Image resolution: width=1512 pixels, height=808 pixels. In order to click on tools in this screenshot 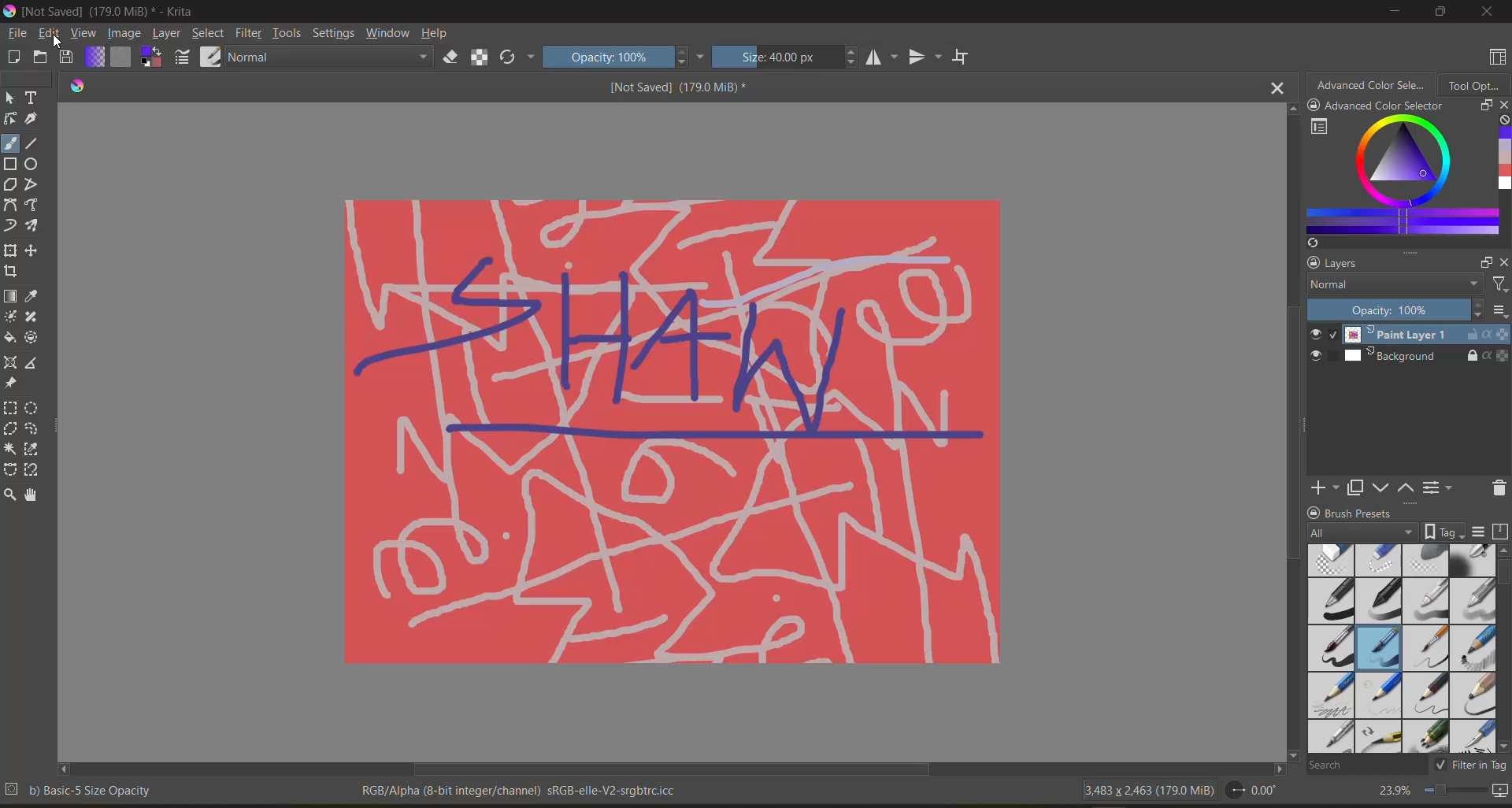, I will do `click(288, 34)`.